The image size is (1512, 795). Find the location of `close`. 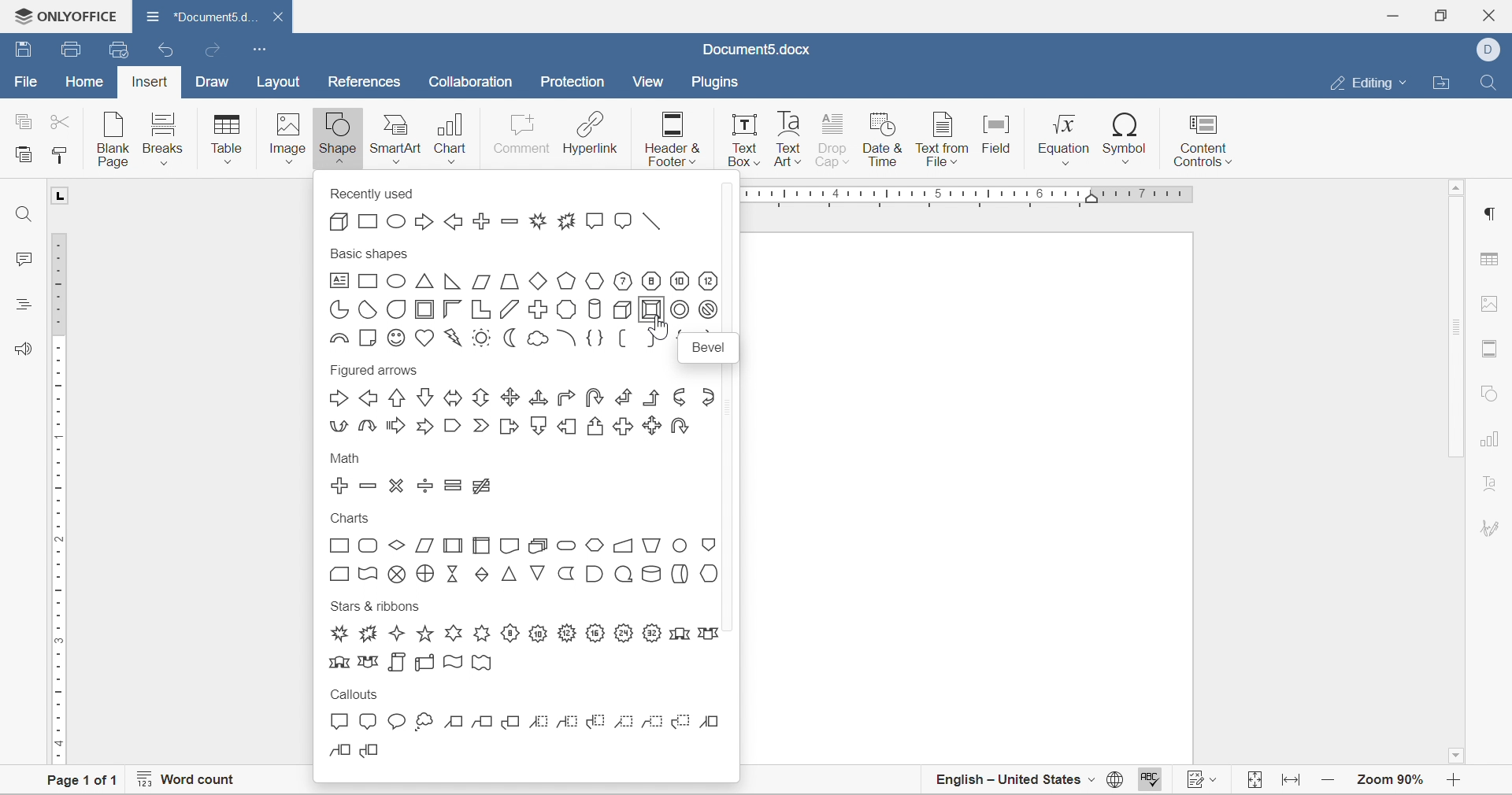

close is located at coordinates (279, 18).